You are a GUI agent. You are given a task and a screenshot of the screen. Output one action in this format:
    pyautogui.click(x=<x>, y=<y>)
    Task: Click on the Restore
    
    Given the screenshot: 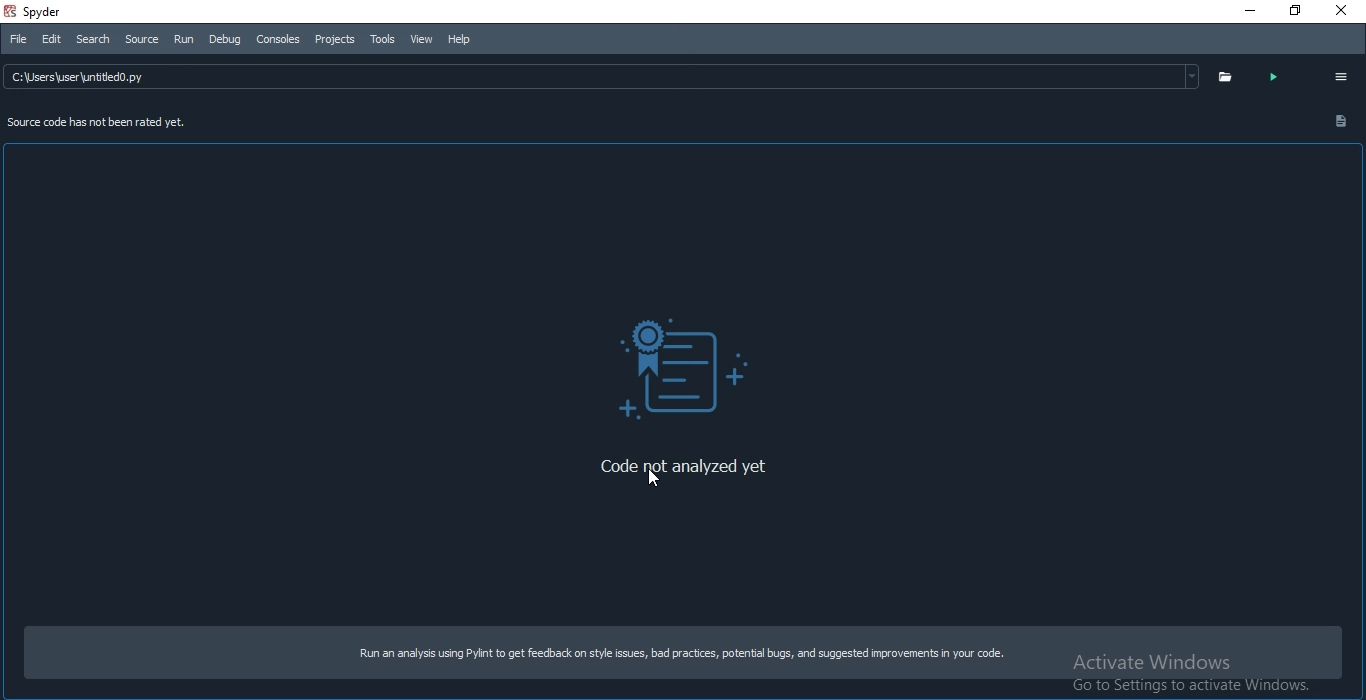 What is the action you would take?
    pyautogui.click(x=1291, y=12)
    